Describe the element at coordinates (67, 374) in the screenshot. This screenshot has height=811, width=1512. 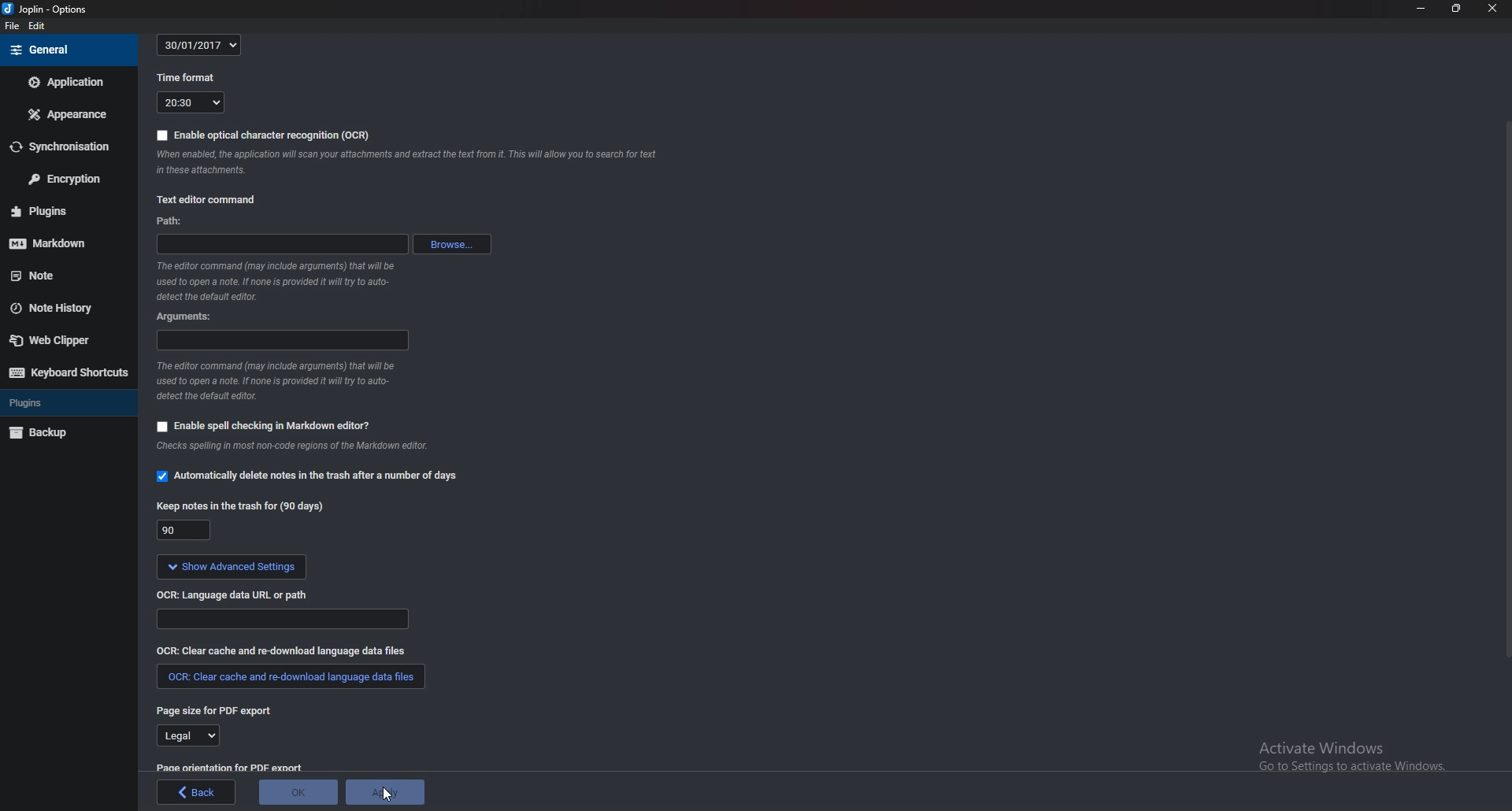
I see `Keyboard shortcuts` at that location.